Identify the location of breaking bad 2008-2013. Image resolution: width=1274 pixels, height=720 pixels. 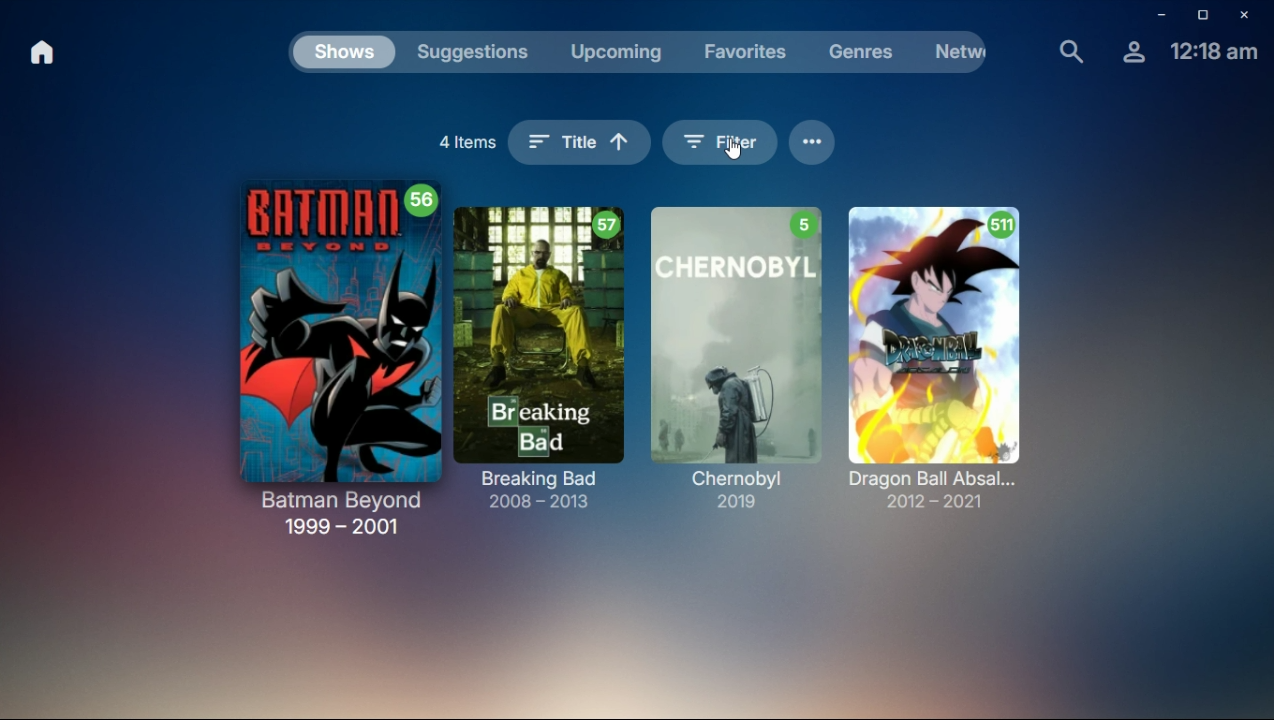
(545, 353).